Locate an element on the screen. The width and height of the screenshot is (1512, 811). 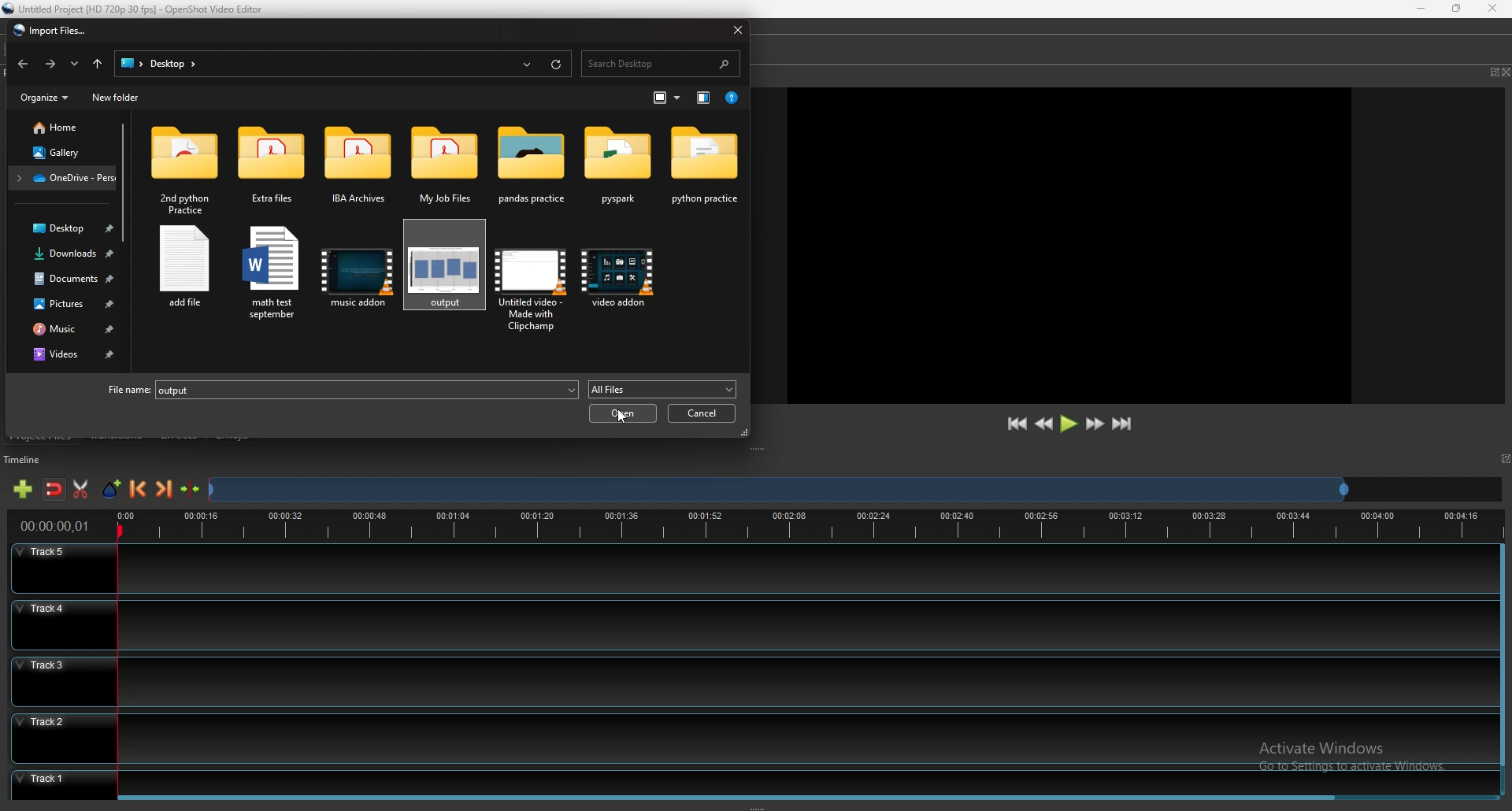
folder is located at coordinates (61, 178).